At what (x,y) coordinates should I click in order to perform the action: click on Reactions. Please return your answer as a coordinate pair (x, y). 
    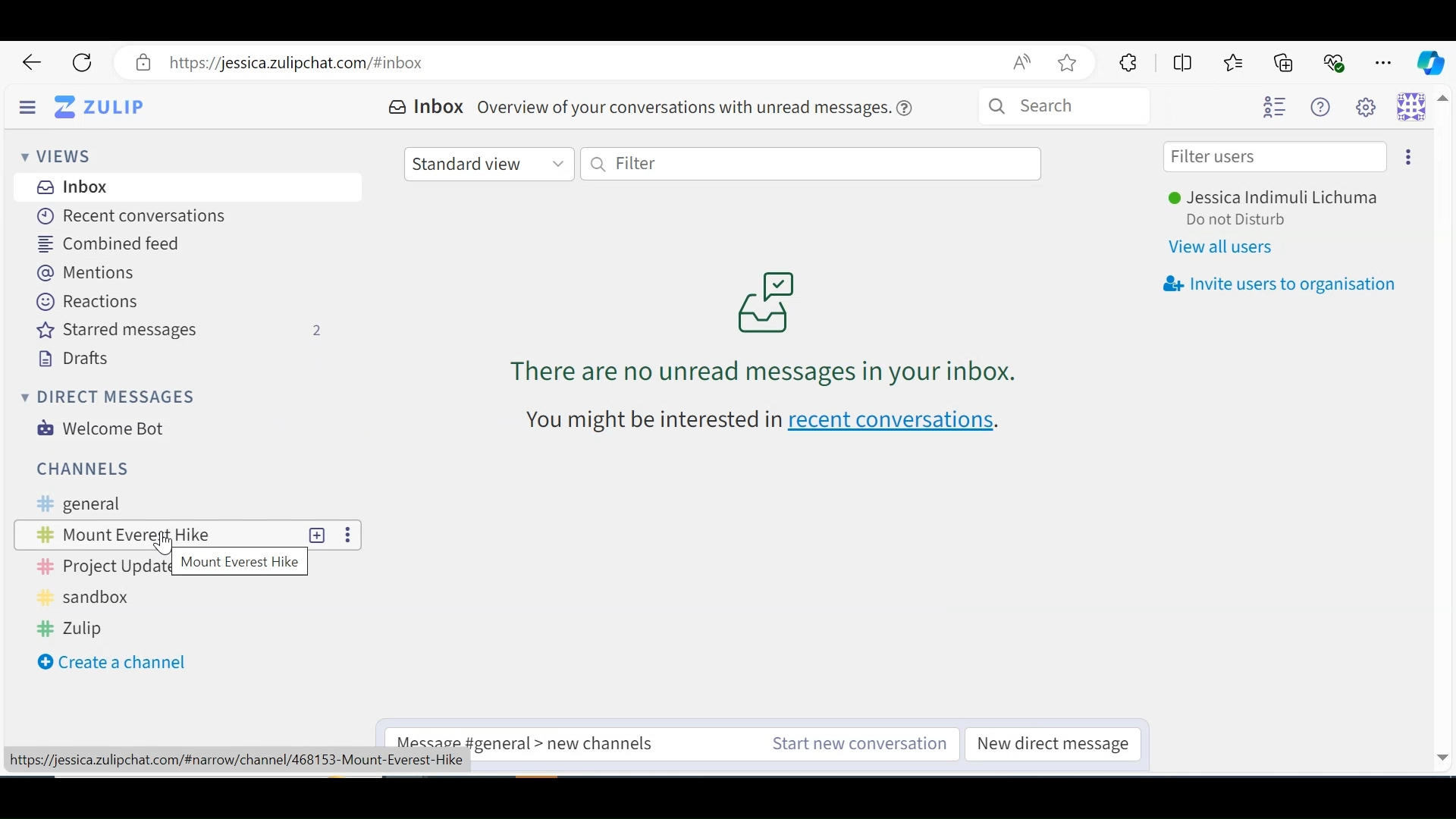
    Looking at the image, I should click on (89, 301).